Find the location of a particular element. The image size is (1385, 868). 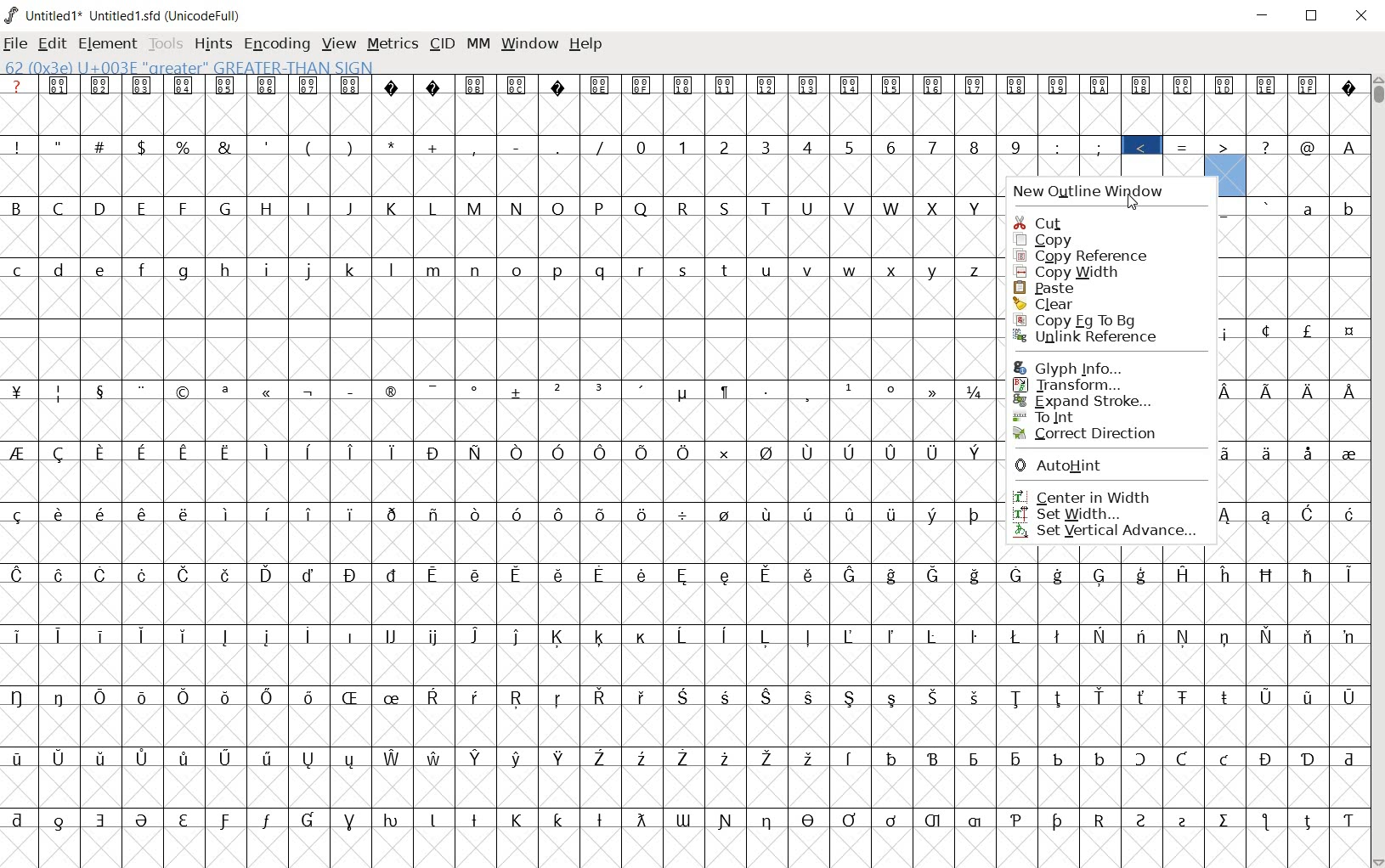

tools is located at coordinates (167, 45).